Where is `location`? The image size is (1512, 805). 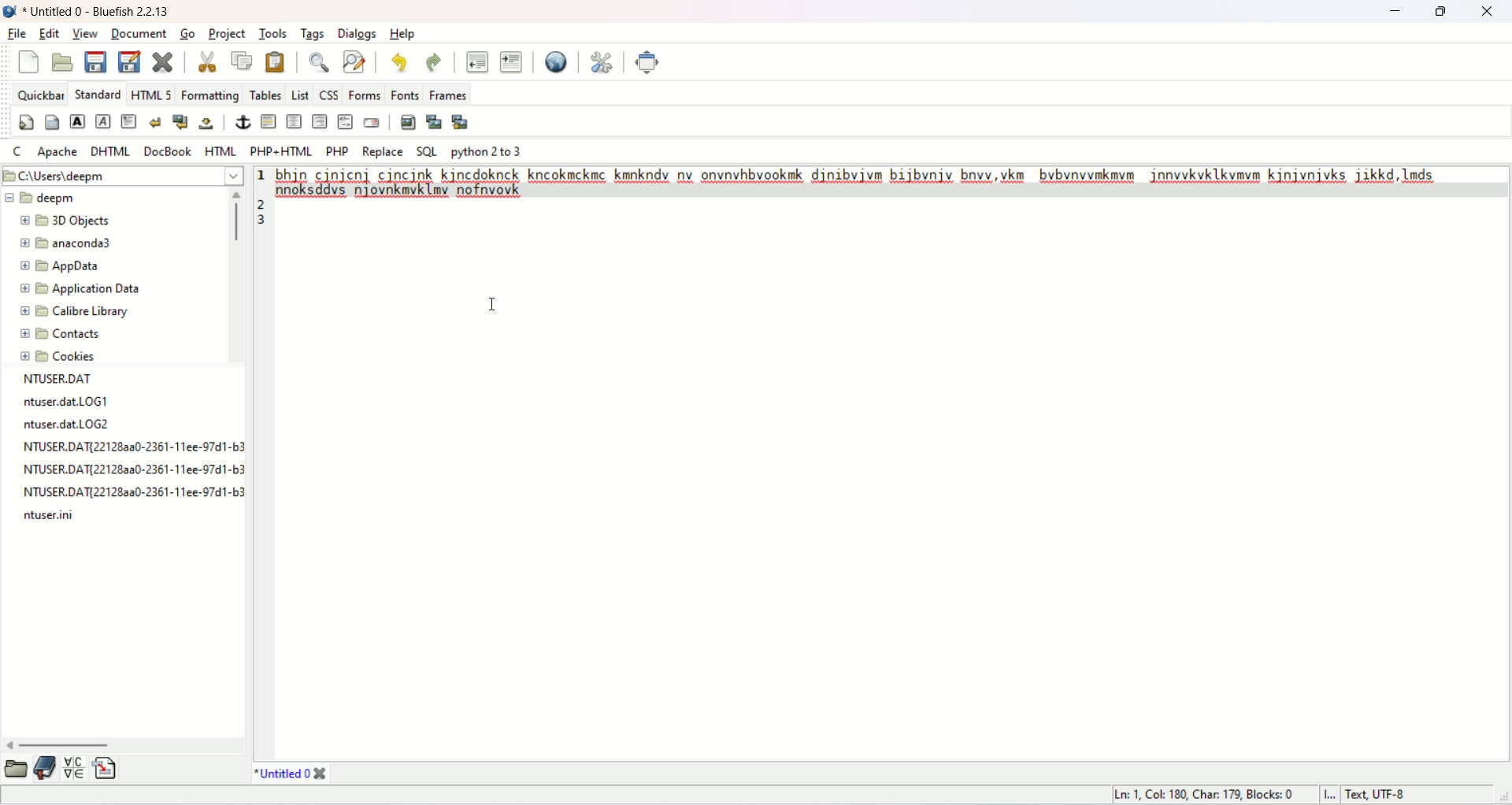
location is located at coordinates (119, 176).